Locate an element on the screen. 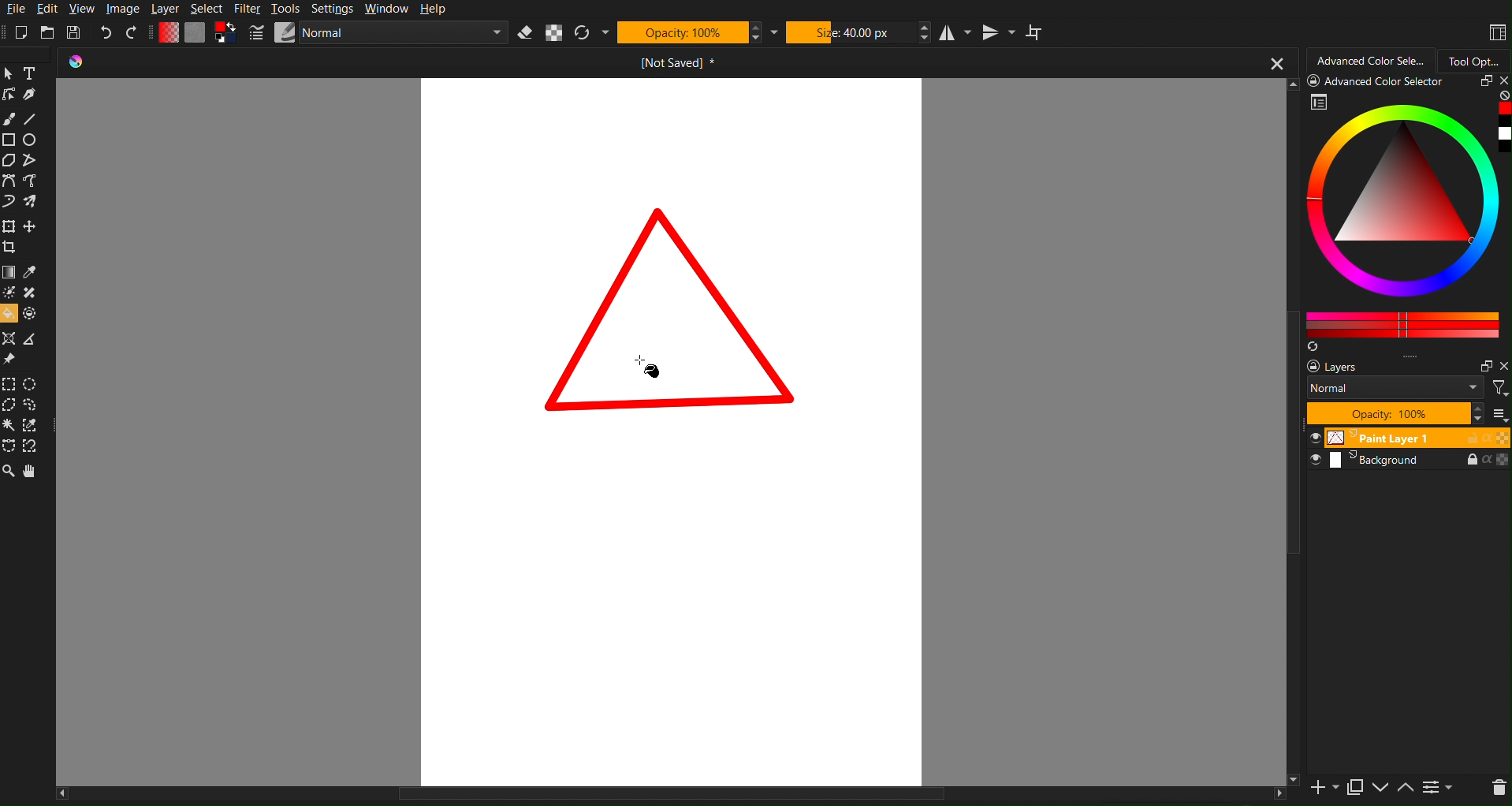 The height and width of the screenshot is (806, 1512). rectangle tool is located at coordinates (9, 140).